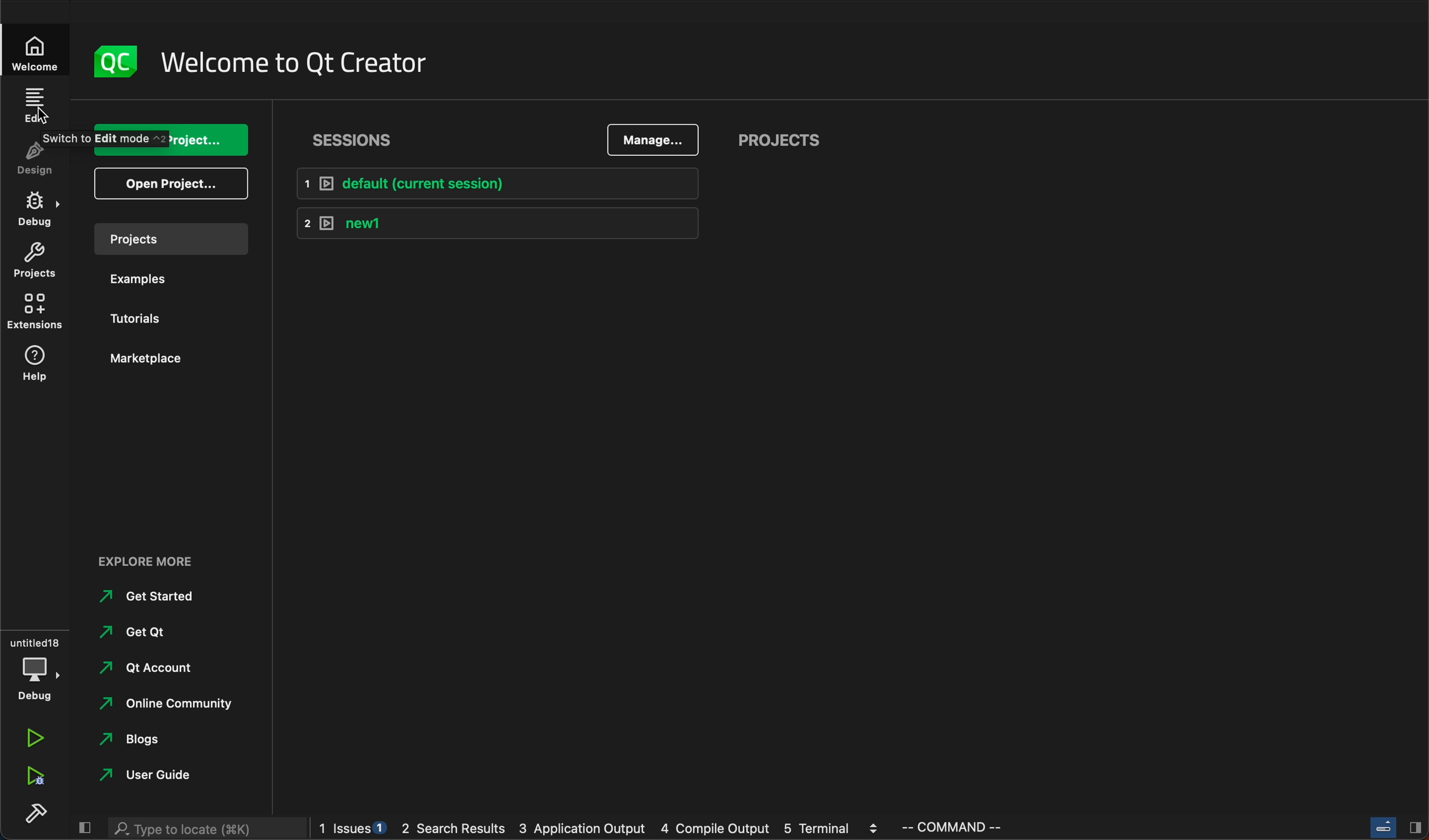  I want to click on close slide bar, so click(82, 824).